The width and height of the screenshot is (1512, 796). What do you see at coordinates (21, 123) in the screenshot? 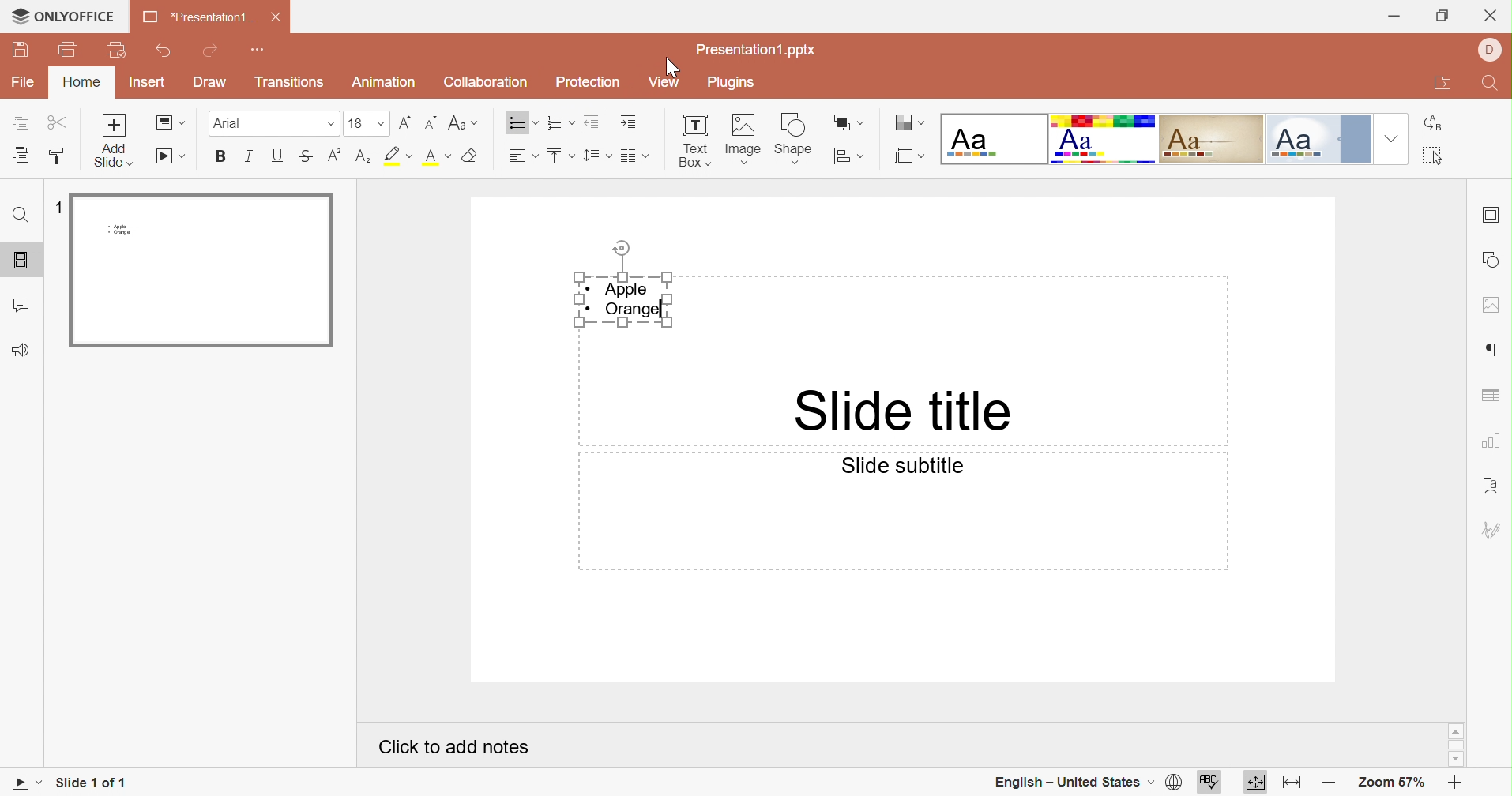
I see `Copy` at bounding box center [21, 123].